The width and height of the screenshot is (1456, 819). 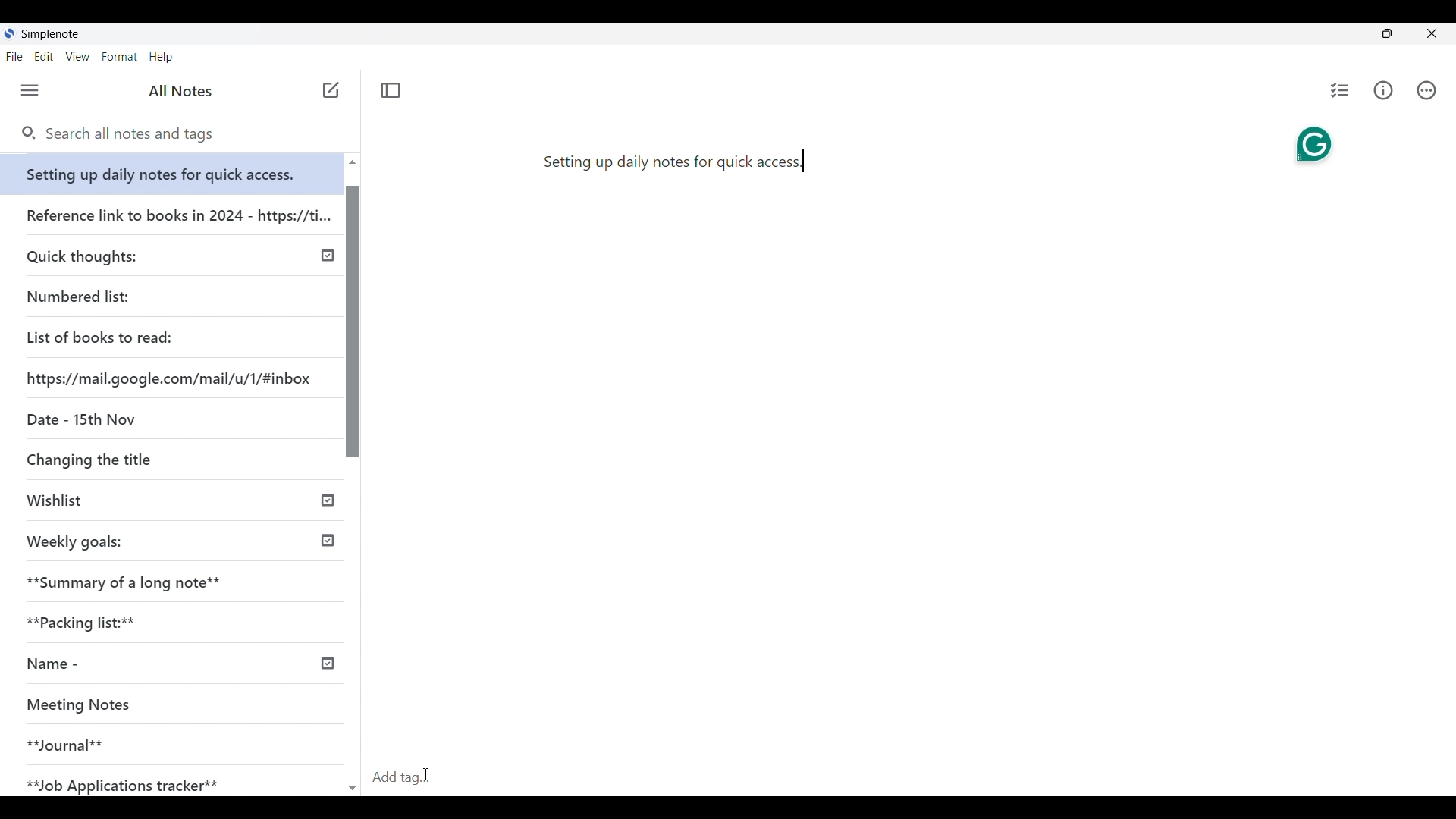 I want to click on Software note, so click(x=55, y=33).